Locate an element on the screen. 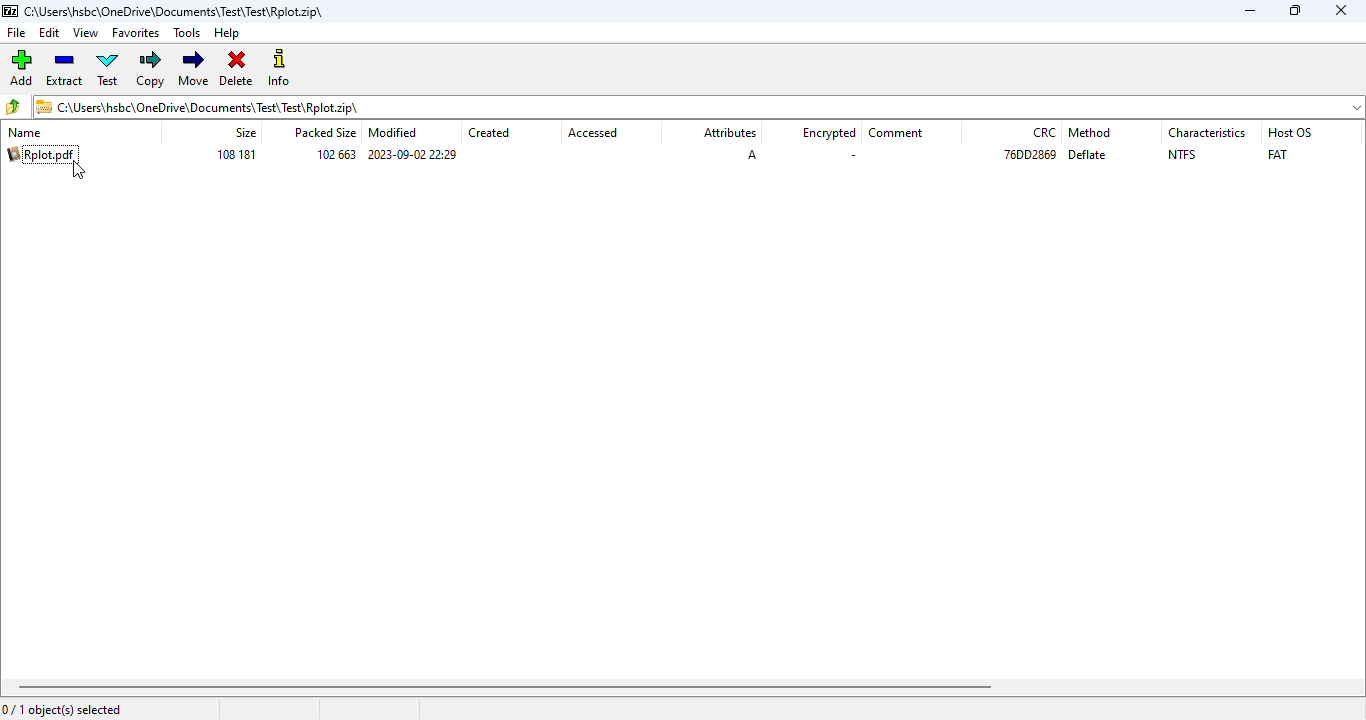 This screenshot has height=720, width=1366. 2023-09-02 22:29 is located at coordinates (416, 155).